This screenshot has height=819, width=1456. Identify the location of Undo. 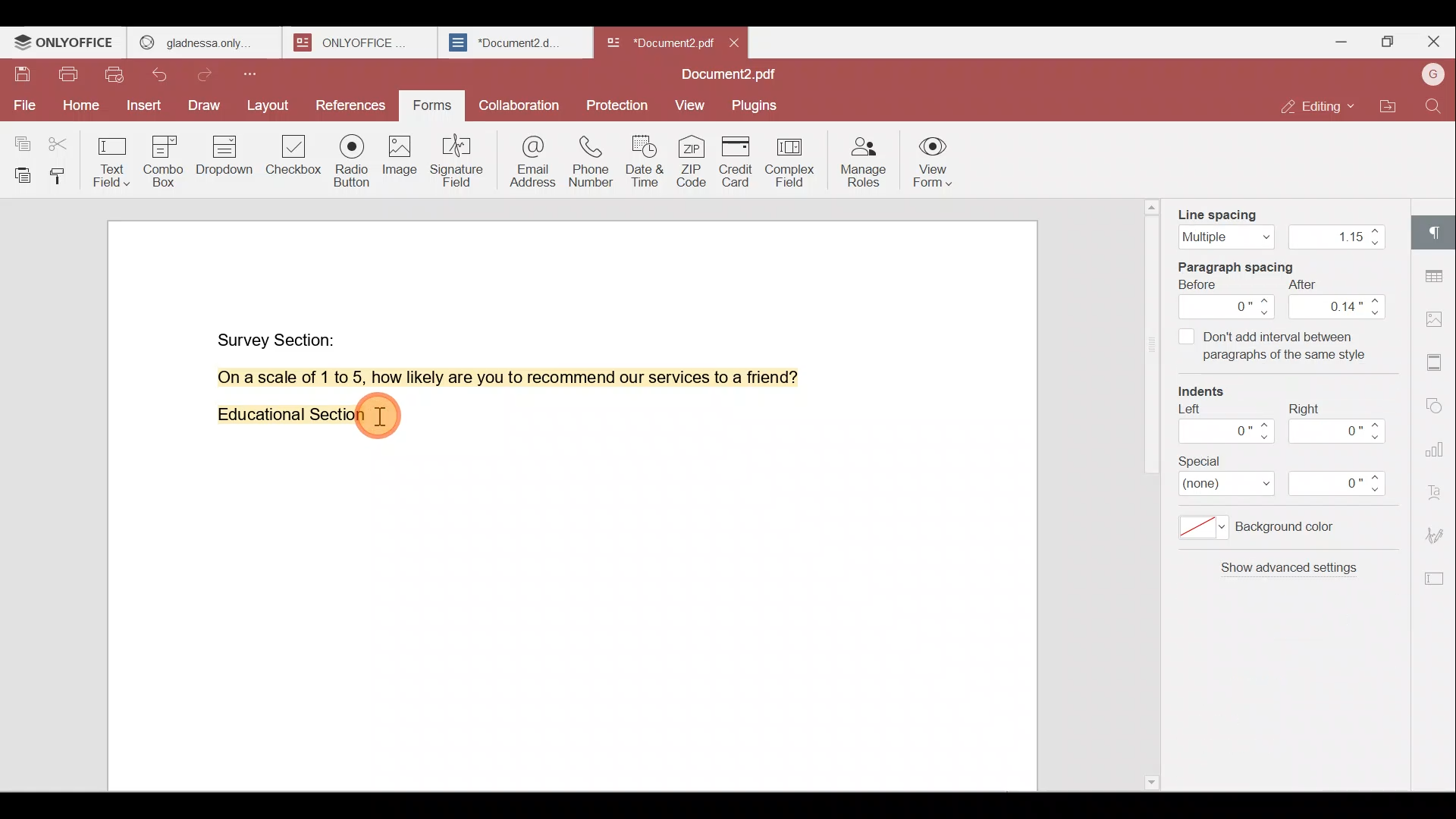
(168, 77).